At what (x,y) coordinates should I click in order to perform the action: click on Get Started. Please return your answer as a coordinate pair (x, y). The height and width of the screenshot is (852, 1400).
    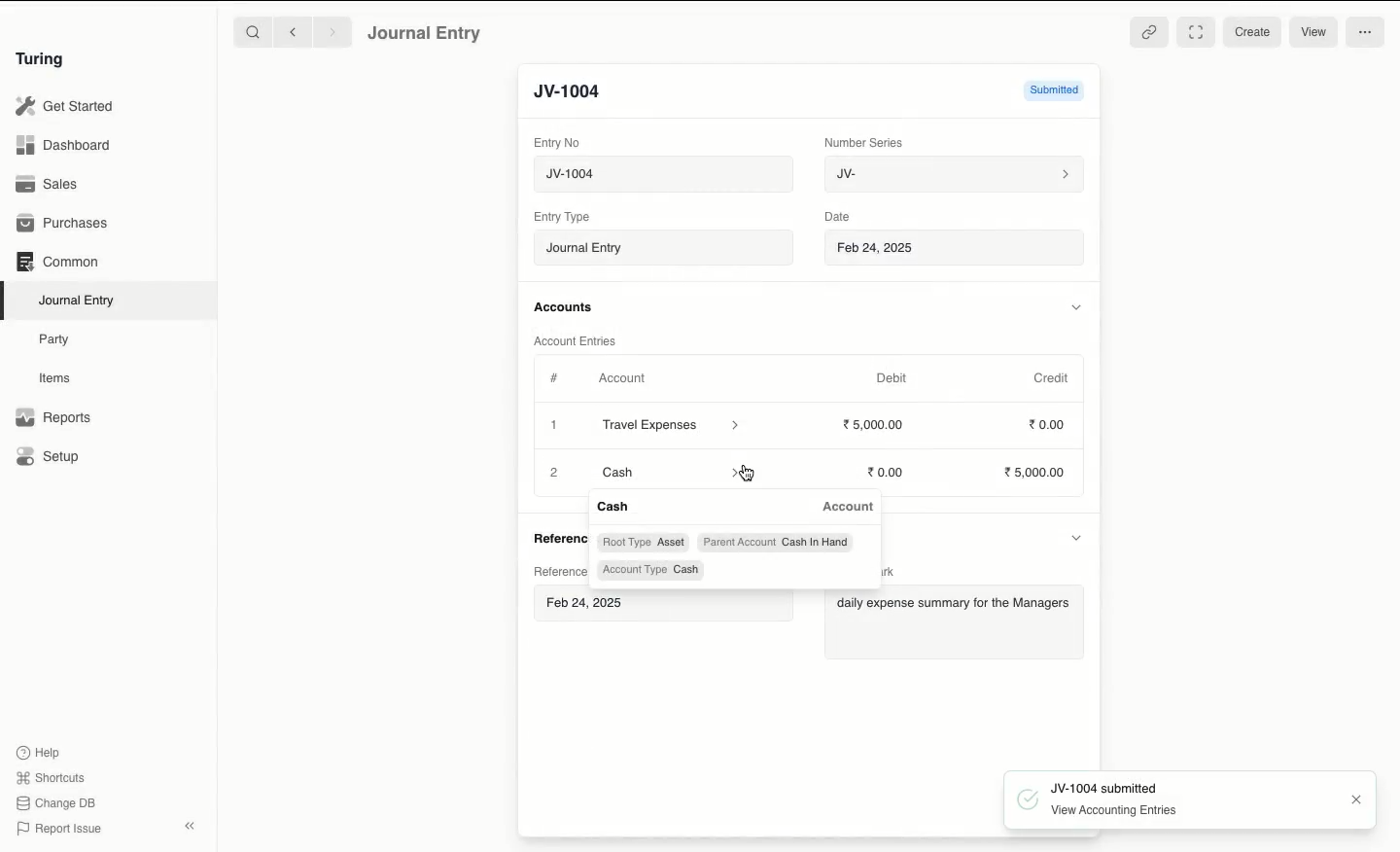
    Looking at the image, I should click on (66, 107).